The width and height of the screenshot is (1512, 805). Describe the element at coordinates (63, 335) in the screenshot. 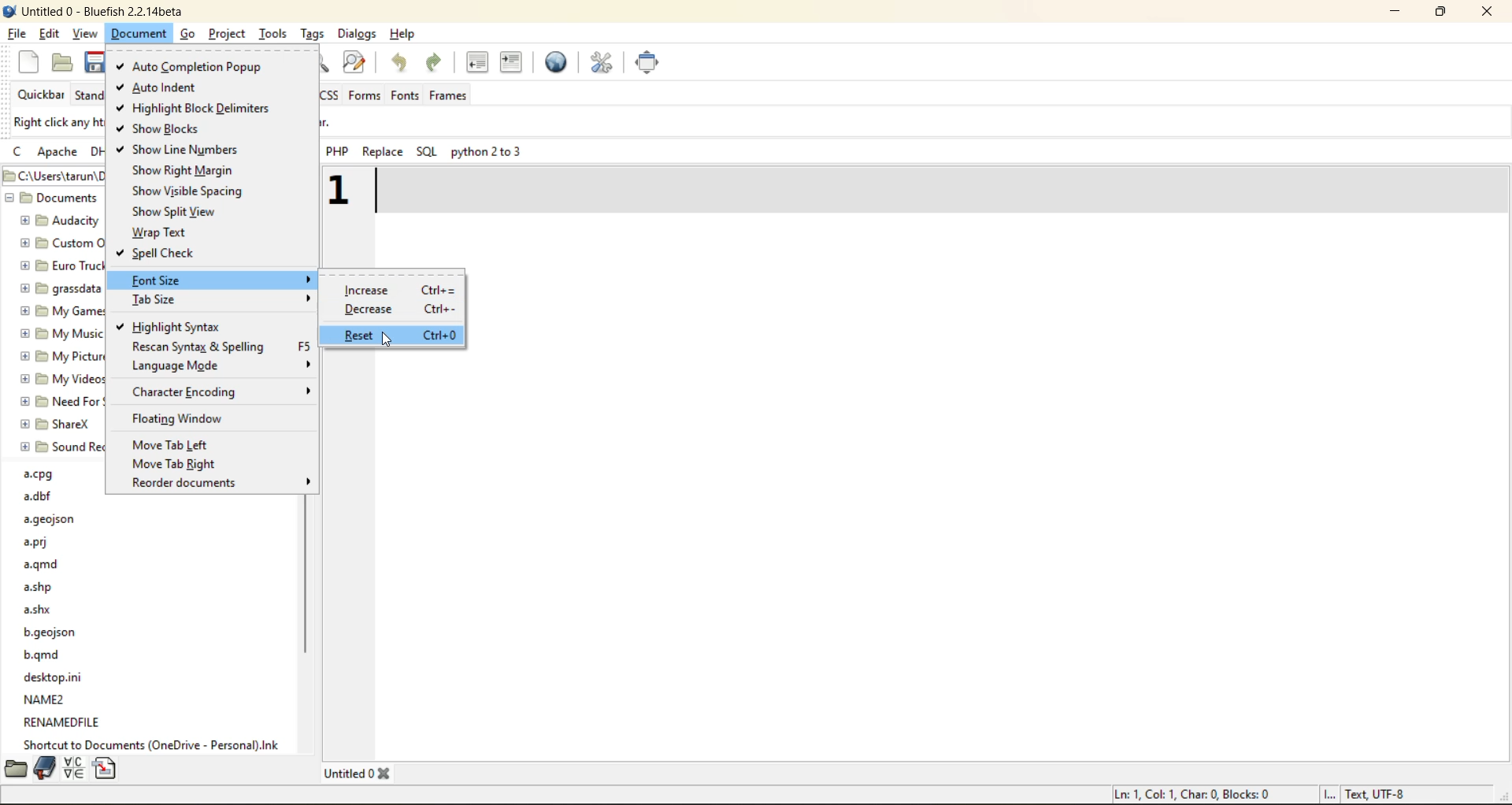

I see `my music` at that location.